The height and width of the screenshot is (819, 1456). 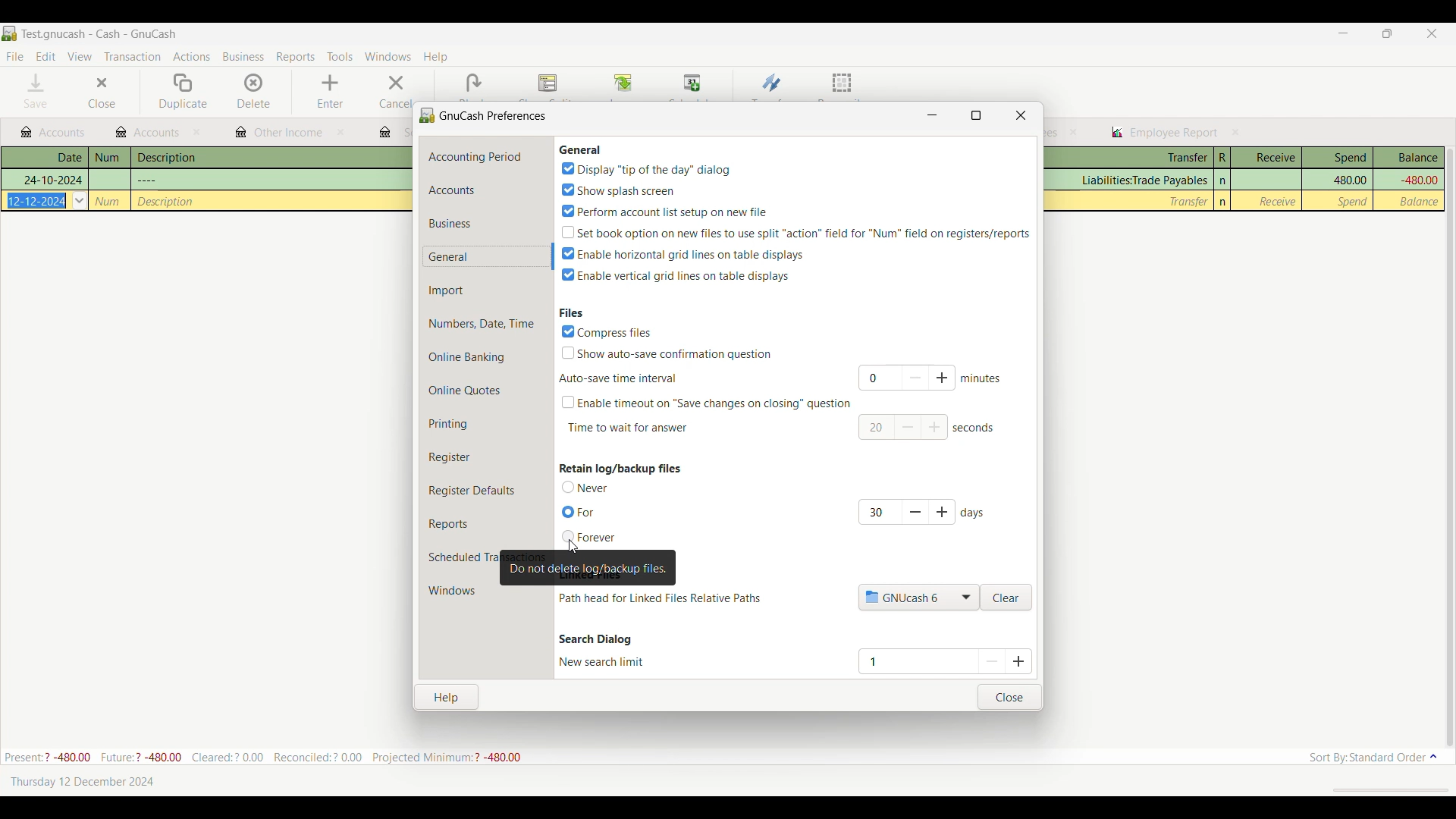 What do you see at coordinates (101, 92) in the screenshot?
I see `Close` at bounding box center [101, 92].